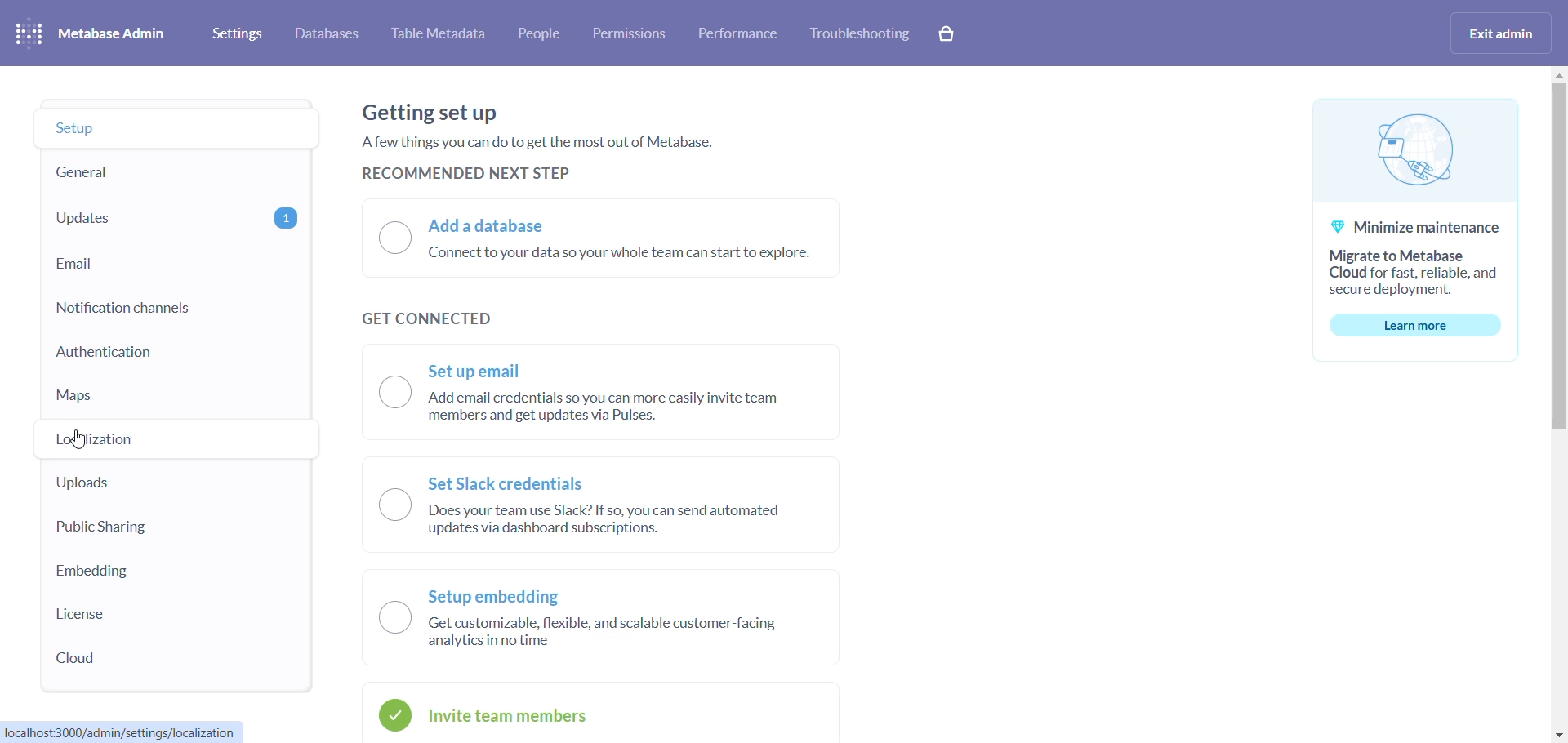 The height and width of the screenshot is (743, 1568). What do you see at coordinates (124, 731) in the screenshot?
I see `localhost:3000/admin/settings/localization` at bounding box center [124, 731].